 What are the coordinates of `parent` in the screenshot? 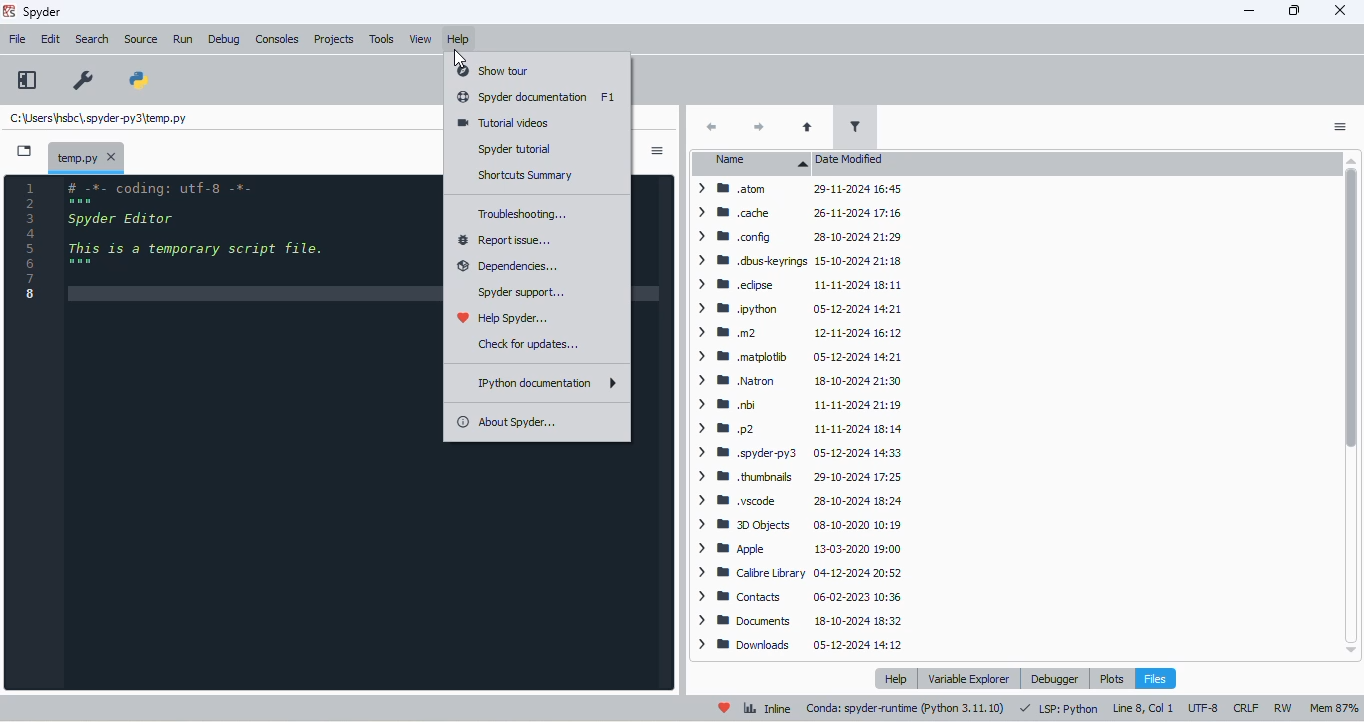 It's located at (808, 127).